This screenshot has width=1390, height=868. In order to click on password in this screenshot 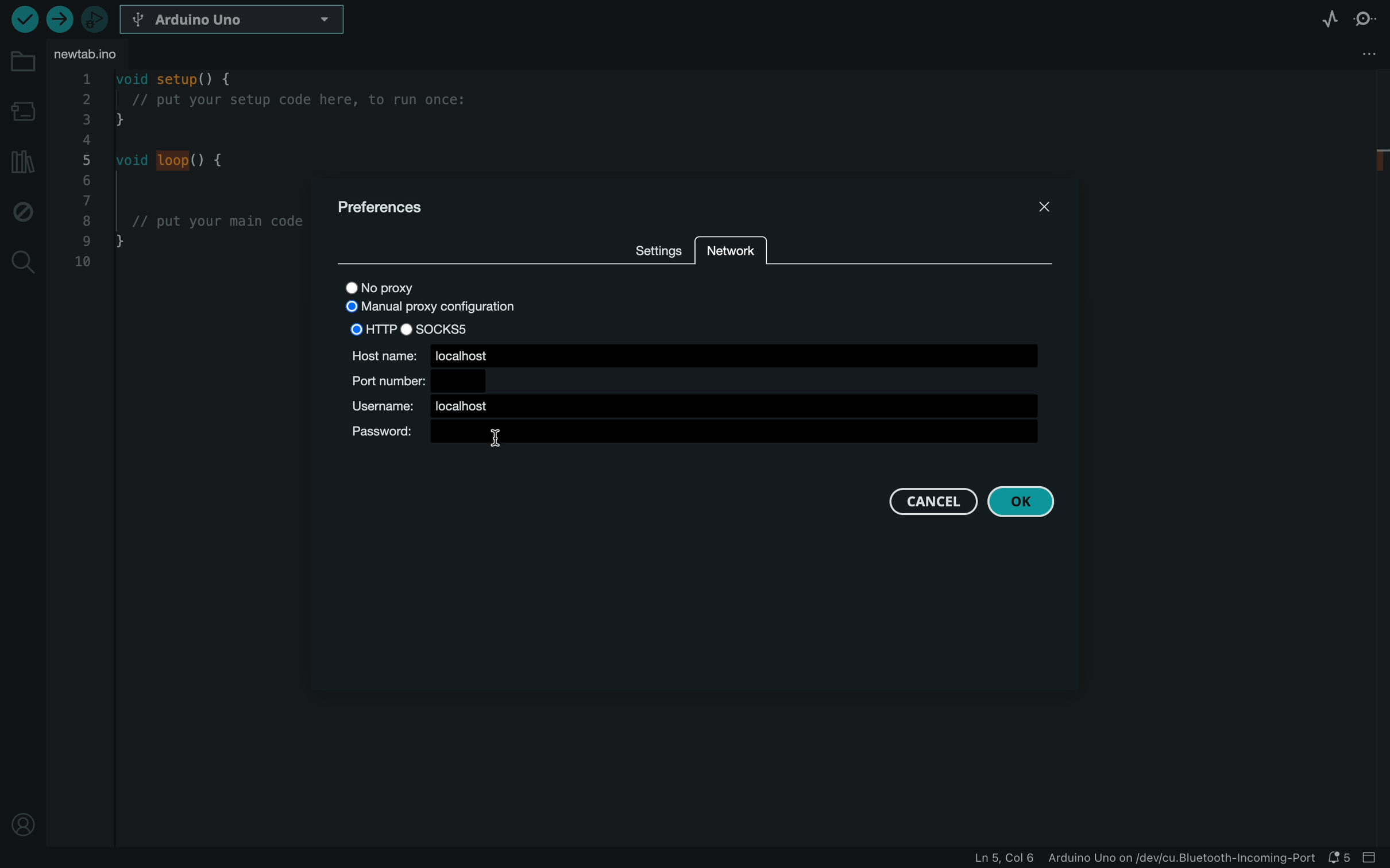, I will do `click(696, 435)`.